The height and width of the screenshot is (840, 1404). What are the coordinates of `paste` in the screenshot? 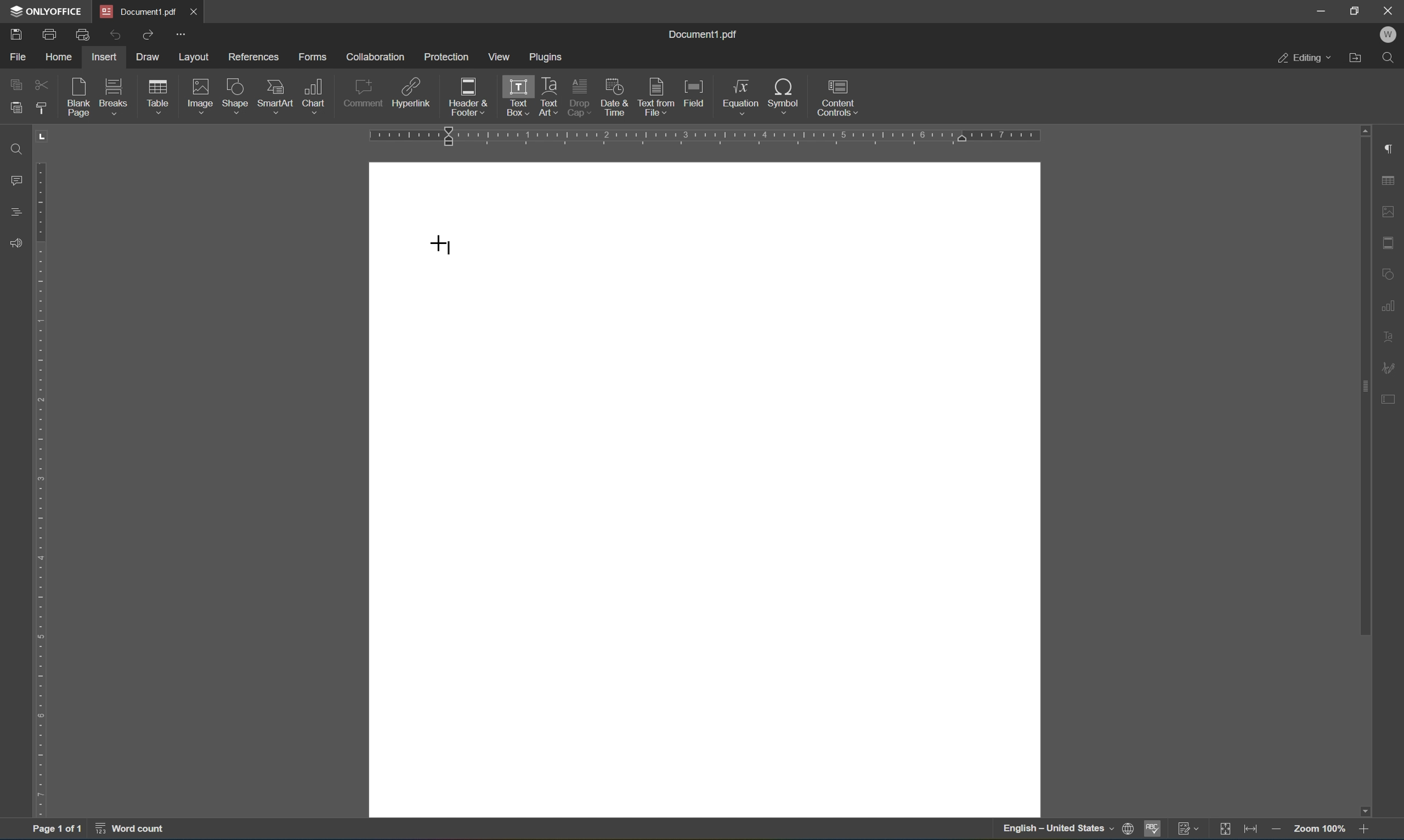 It's located at (13, 109).